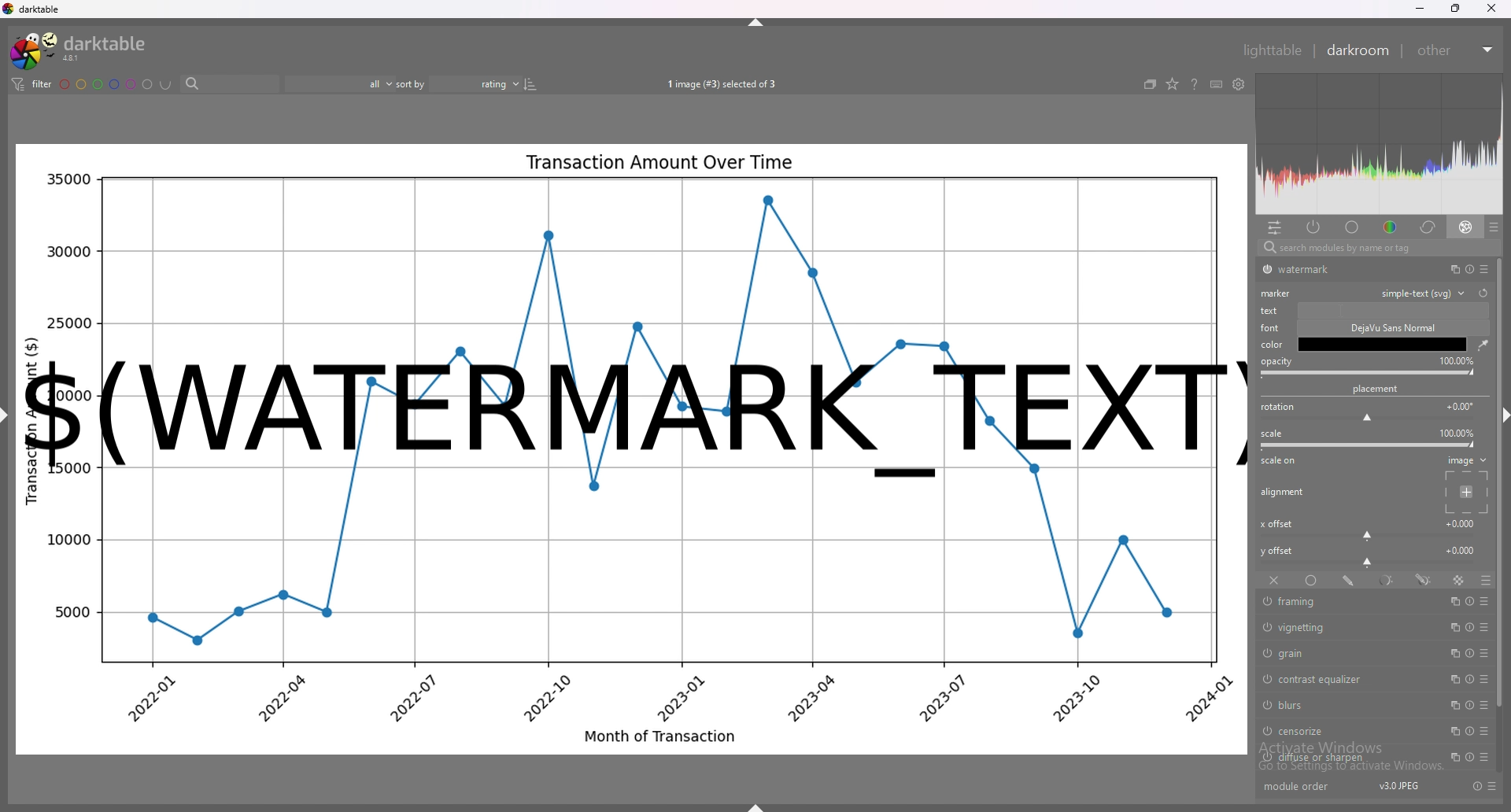 The image size is (1511, 812). What do you see at coordinates (1272, 328) in the screenshot?
I see `font` at bounding box center [1272, 328].